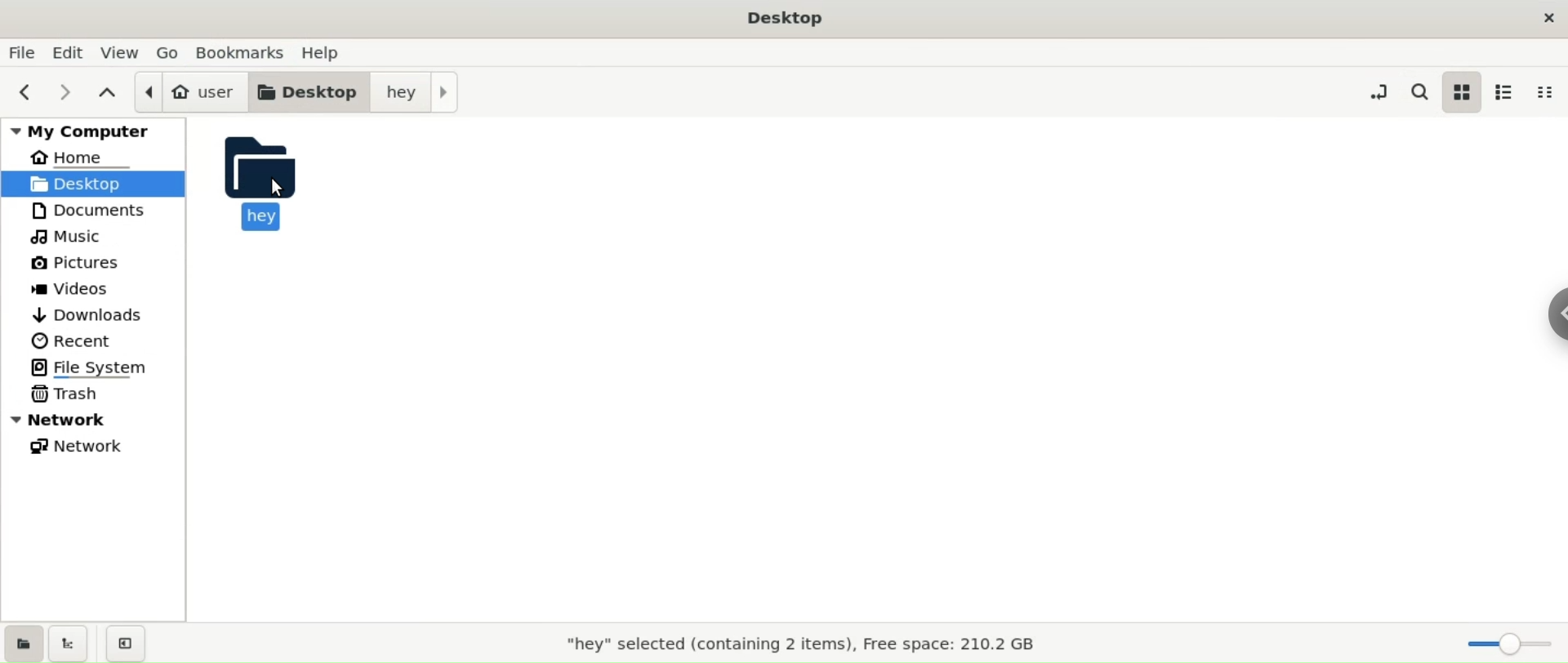 This screenshot has width=1568, height=663. Describe the element at coordinates (1508, 92) in the screenshot. I see `list view` at that location.